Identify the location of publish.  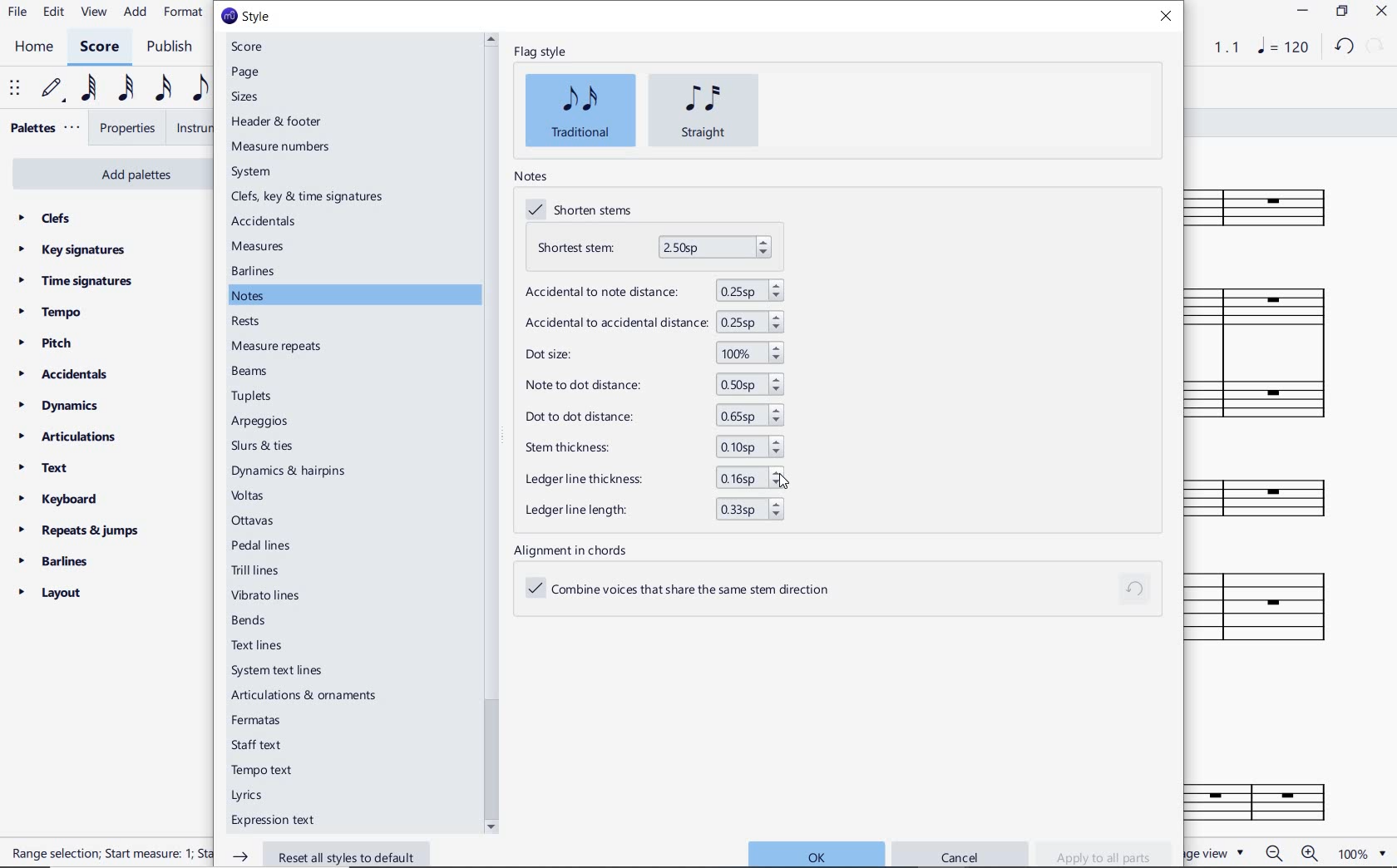
(173, 47).